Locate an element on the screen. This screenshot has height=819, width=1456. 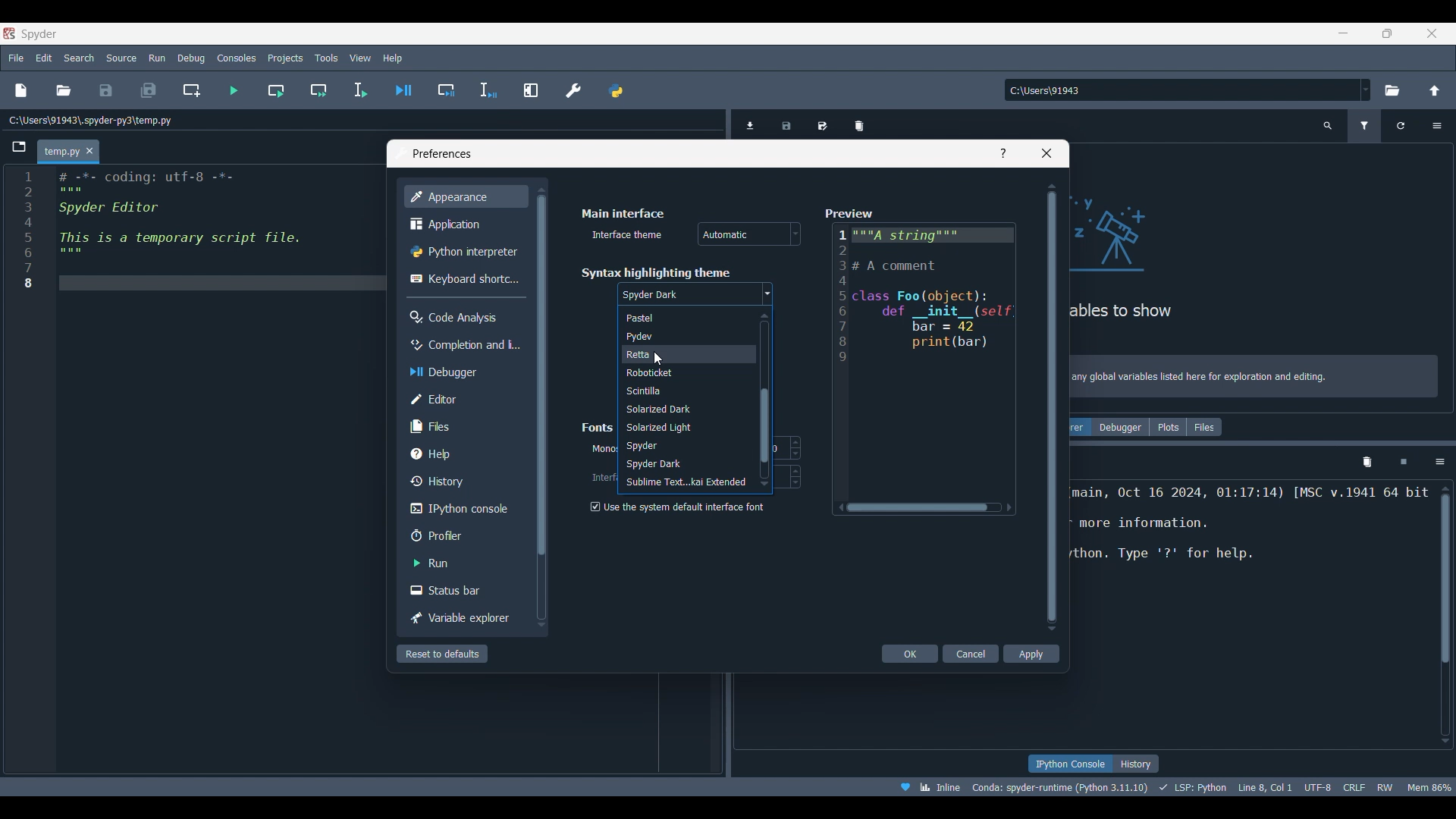
Debug file is located at coordinates (404, 90).